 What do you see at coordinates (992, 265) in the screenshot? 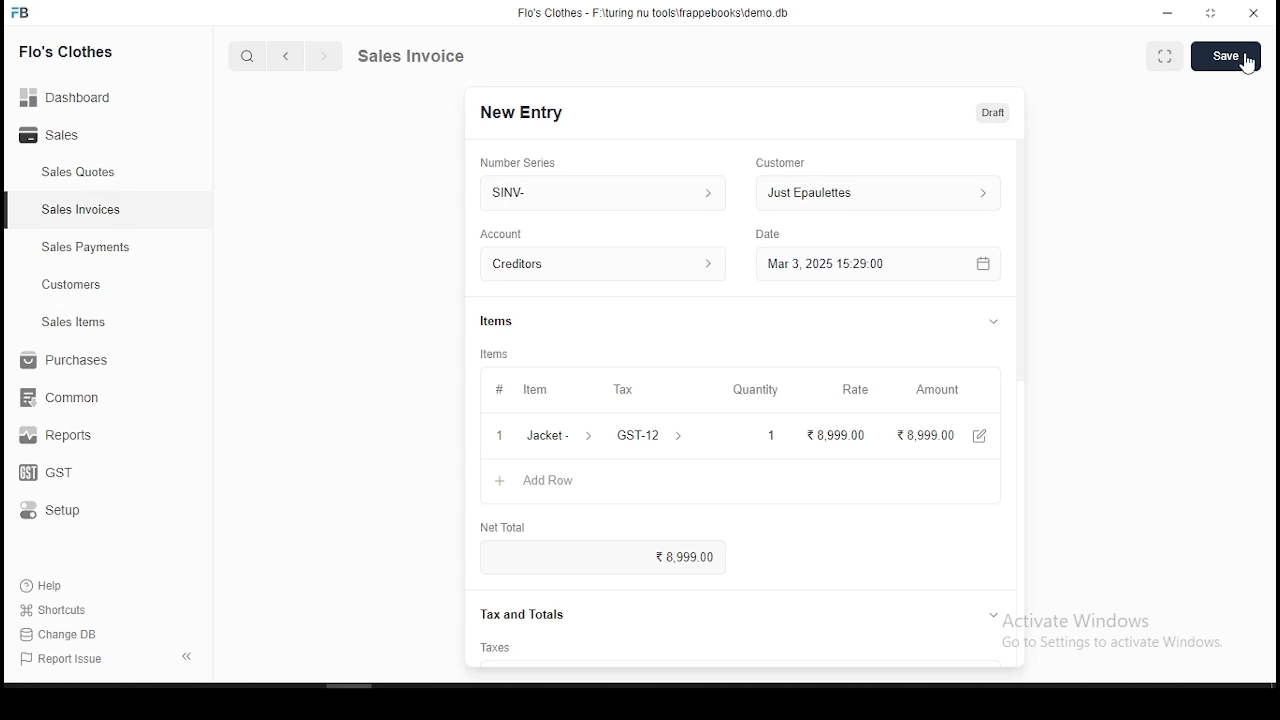
I see `calendar` at bounding box center [992, 265].